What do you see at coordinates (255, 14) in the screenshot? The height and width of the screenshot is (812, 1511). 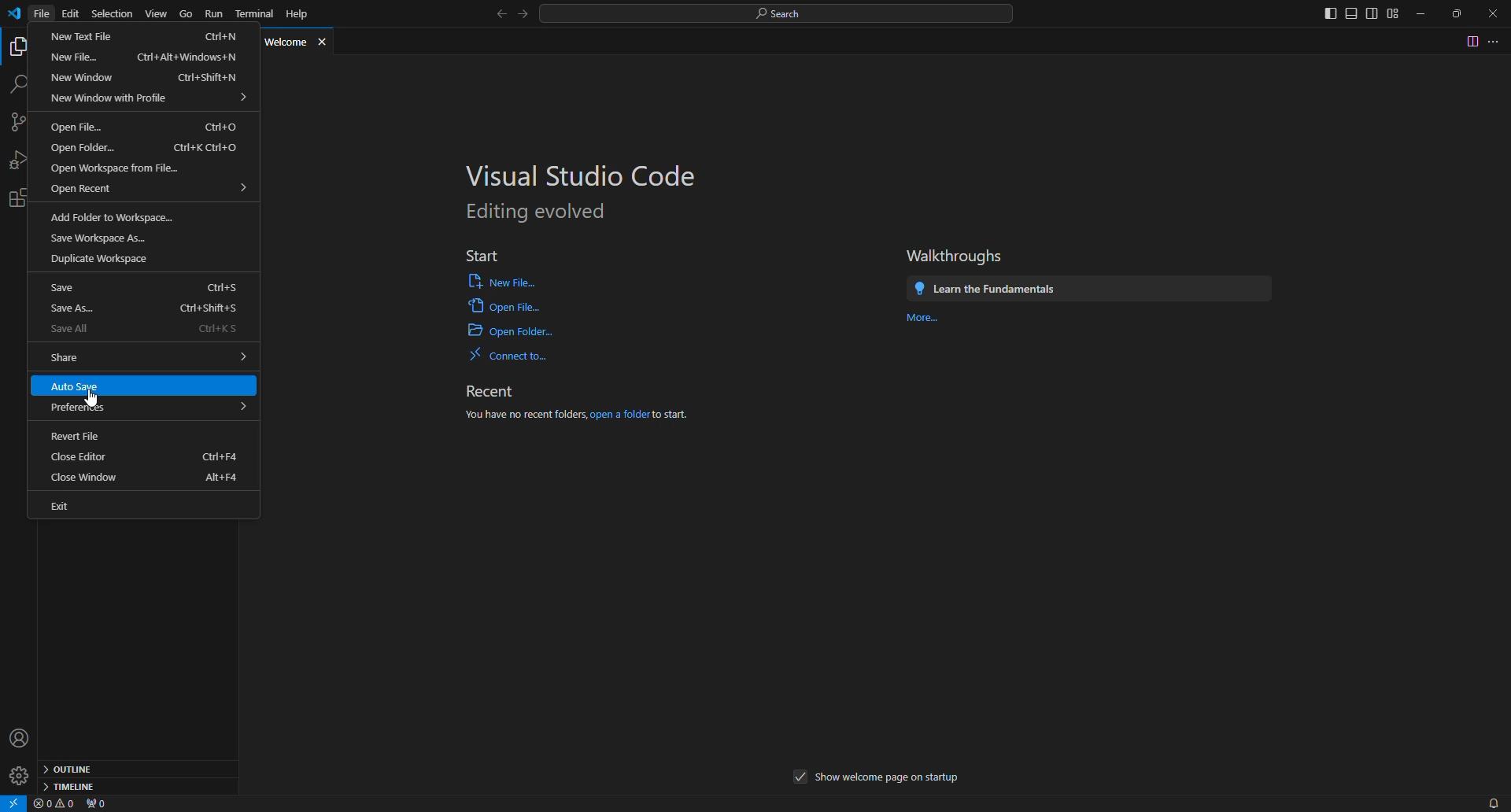 I see `terminal` at bounding box center [255, 14].